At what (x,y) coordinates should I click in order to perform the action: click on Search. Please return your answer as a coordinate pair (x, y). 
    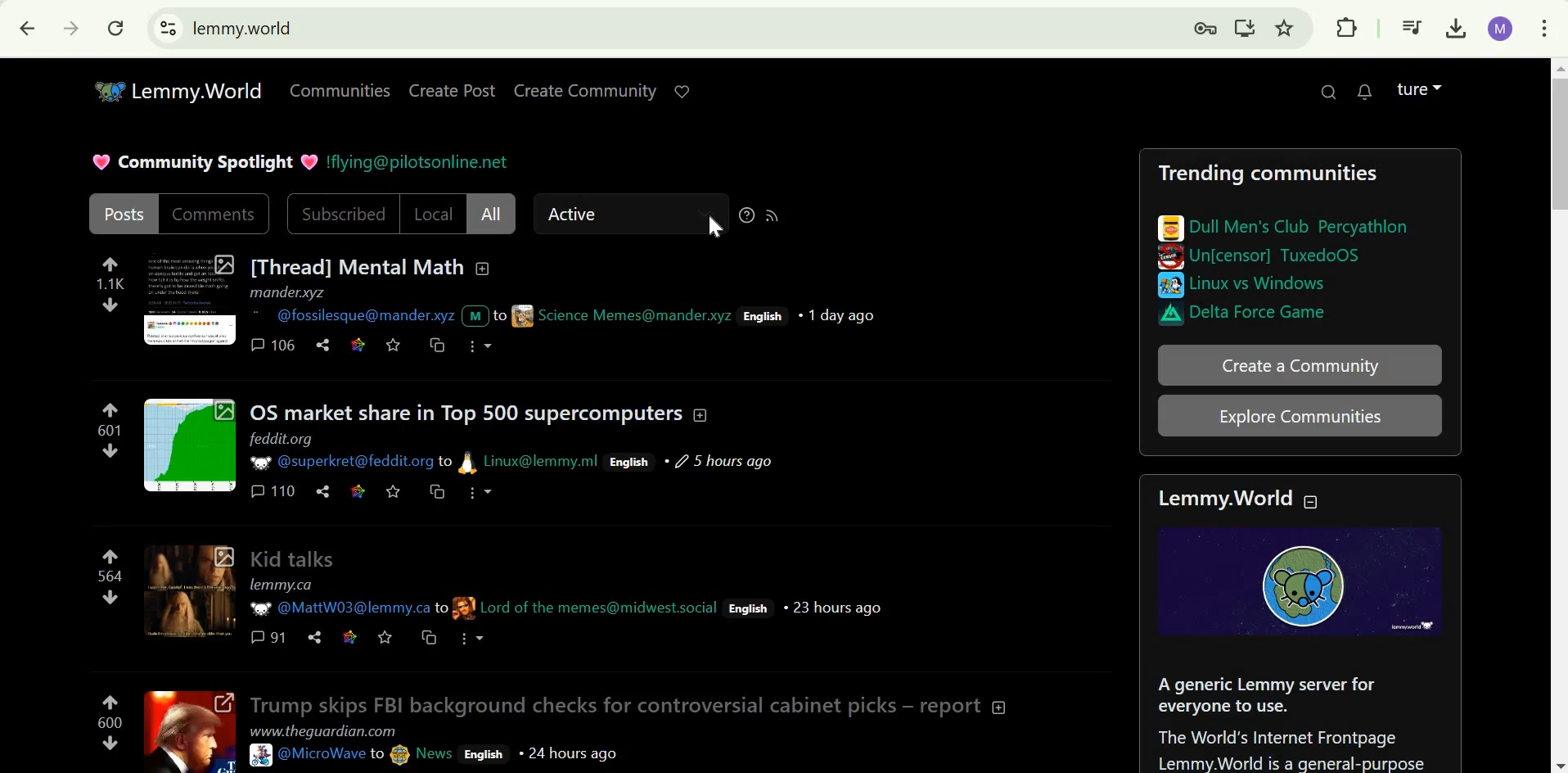
    Looking at the image, I should click on (1326, 91).